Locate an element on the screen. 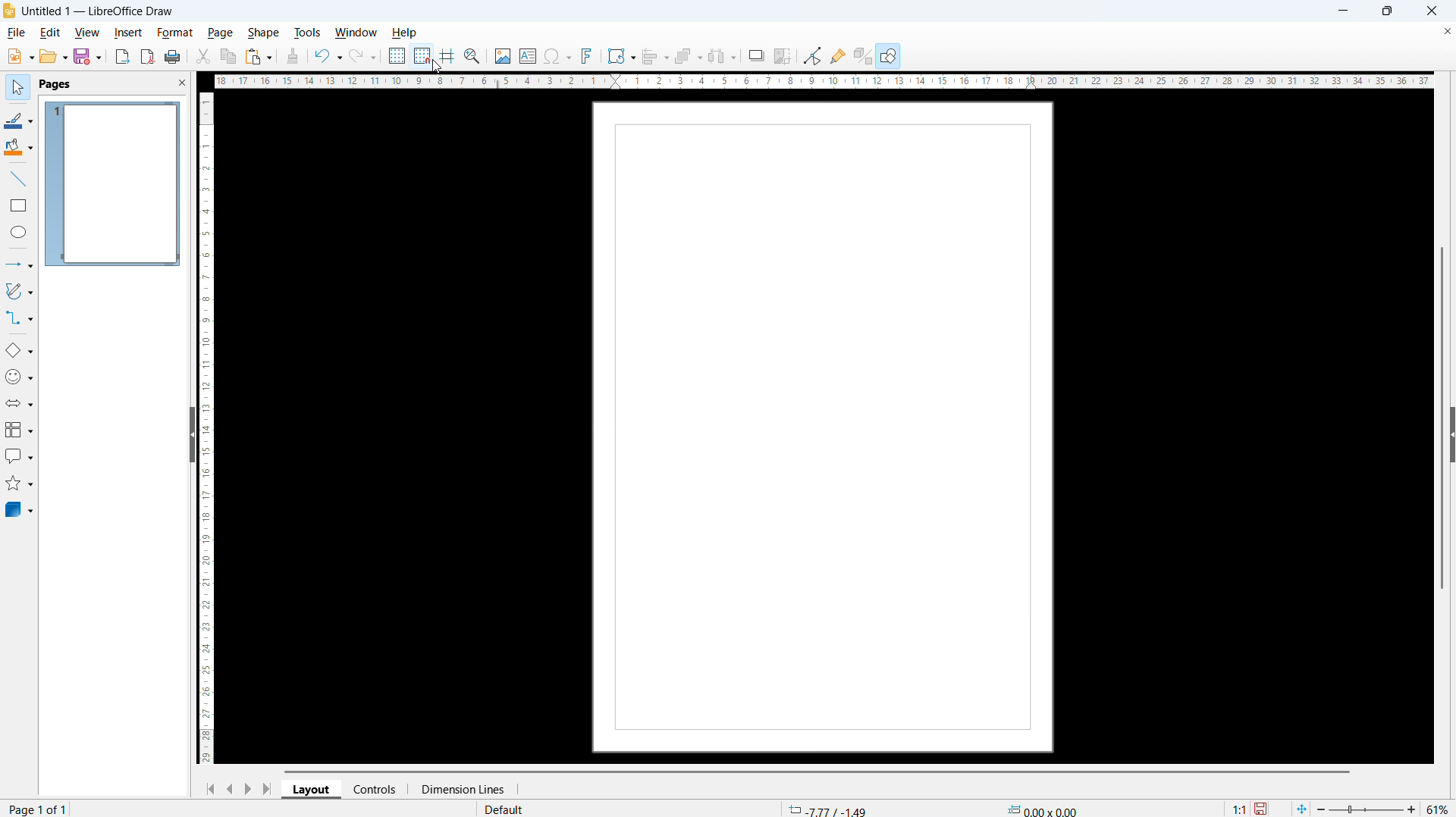 This screenshot has width=1456, height=817. save  is located at coordinates (1263, 807).